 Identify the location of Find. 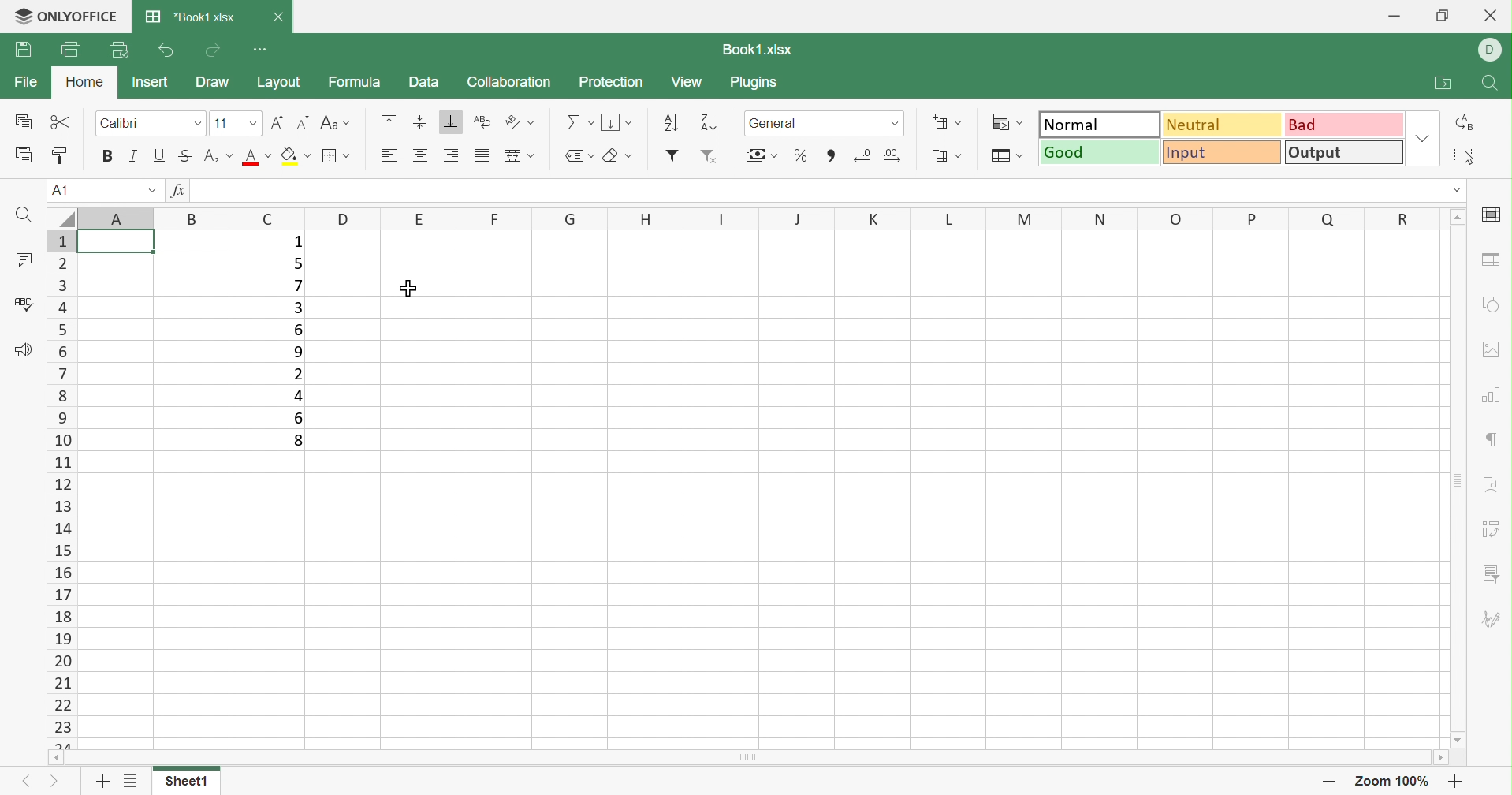
(21, 216).